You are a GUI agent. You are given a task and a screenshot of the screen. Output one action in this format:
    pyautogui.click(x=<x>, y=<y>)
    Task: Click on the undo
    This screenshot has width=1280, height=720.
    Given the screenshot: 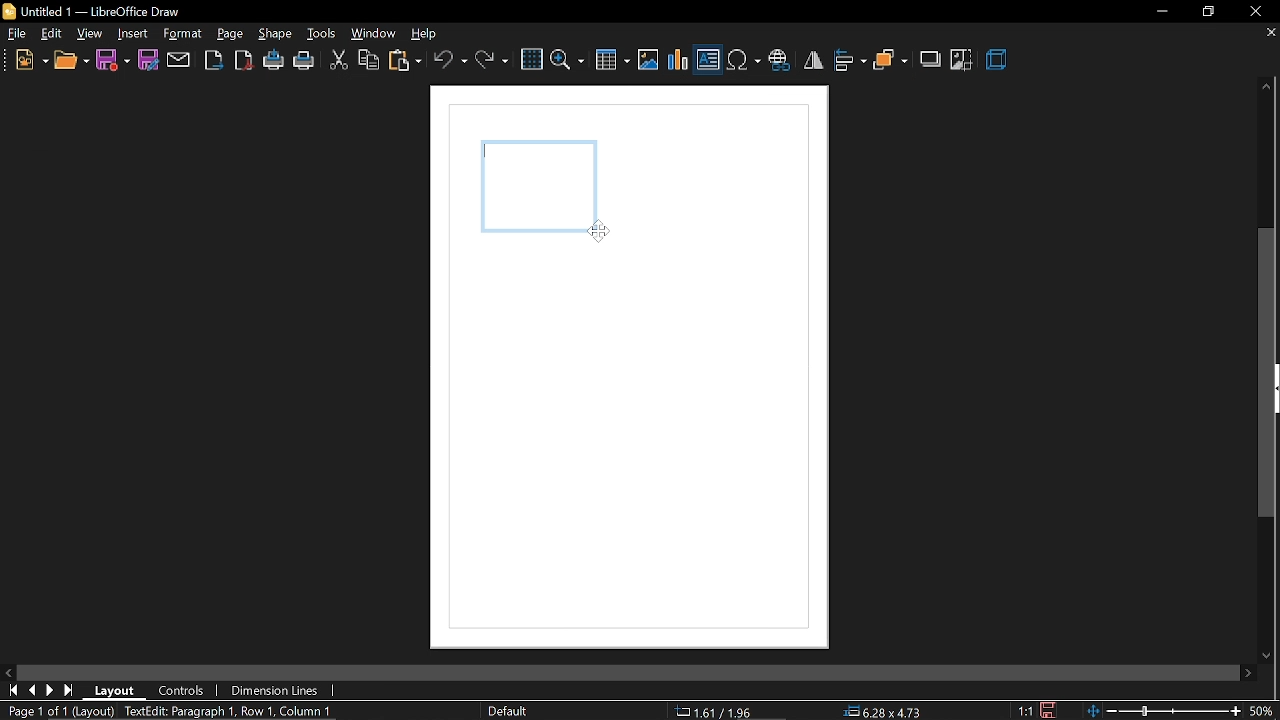 What is the action you would take?
    pyautogui.click(x=450, y=59)
    